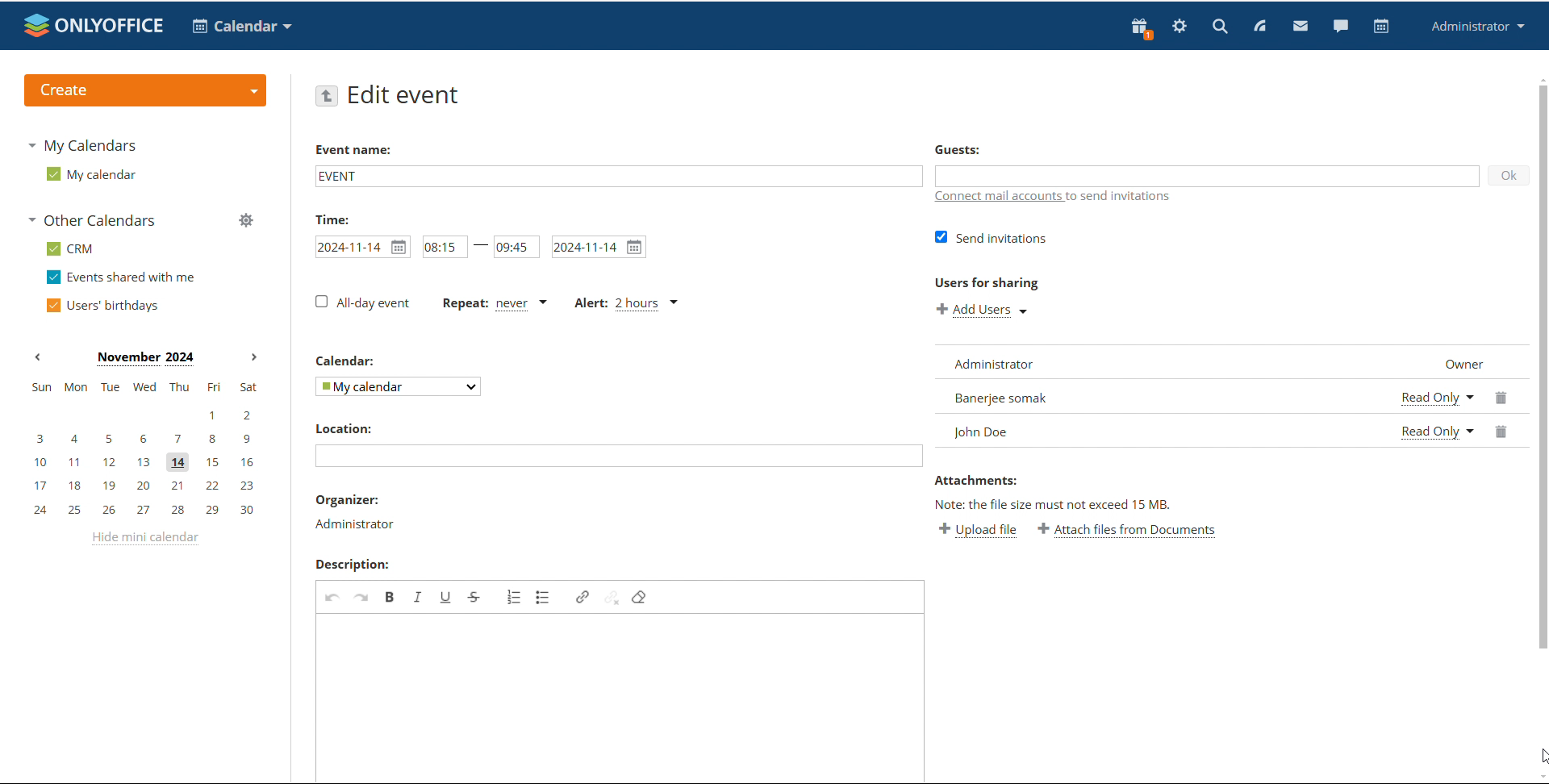  I want to click on select application, so click(240, 27).